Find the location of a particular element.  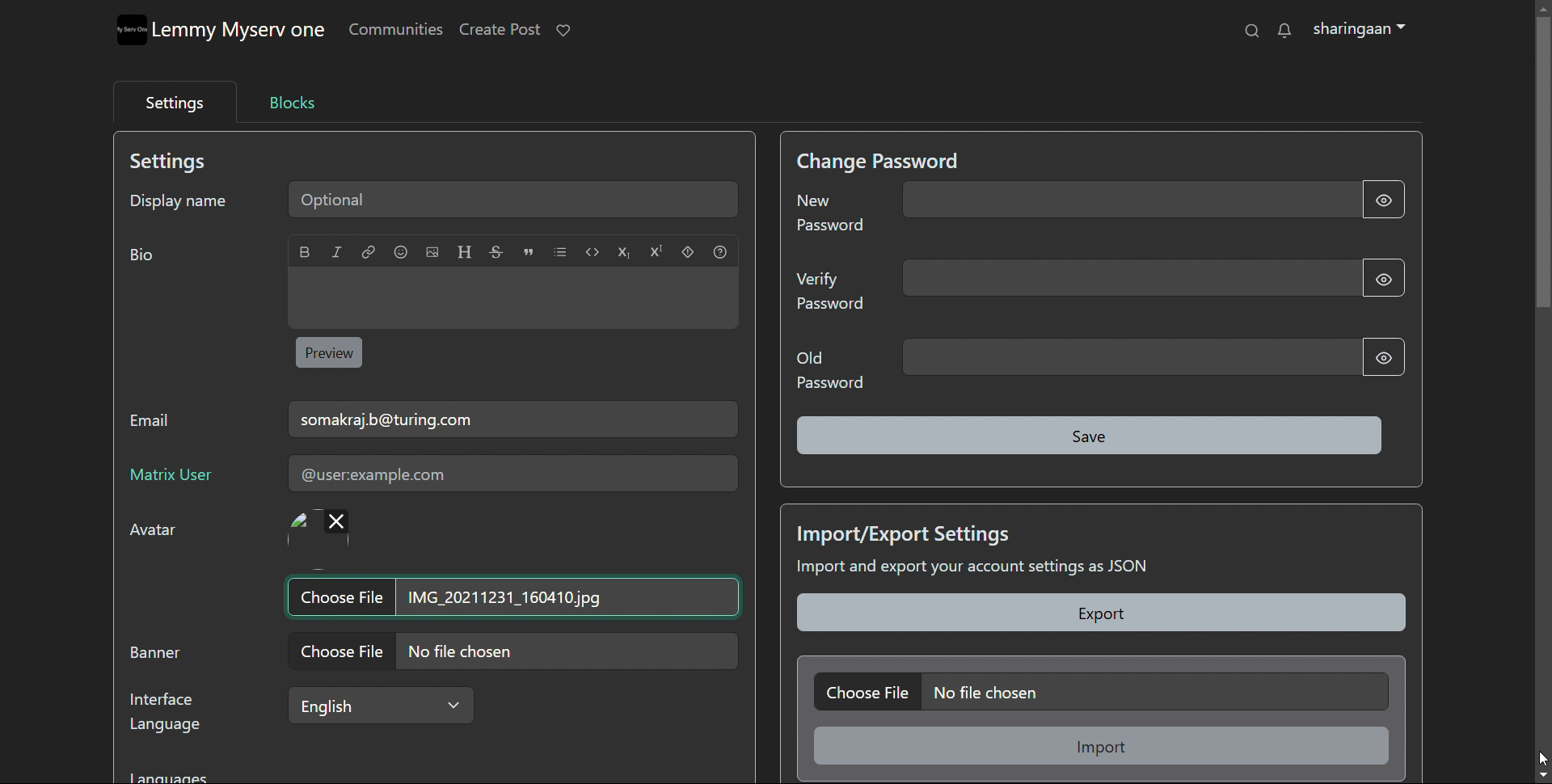

matrix user is located at coordinates (511, 474).